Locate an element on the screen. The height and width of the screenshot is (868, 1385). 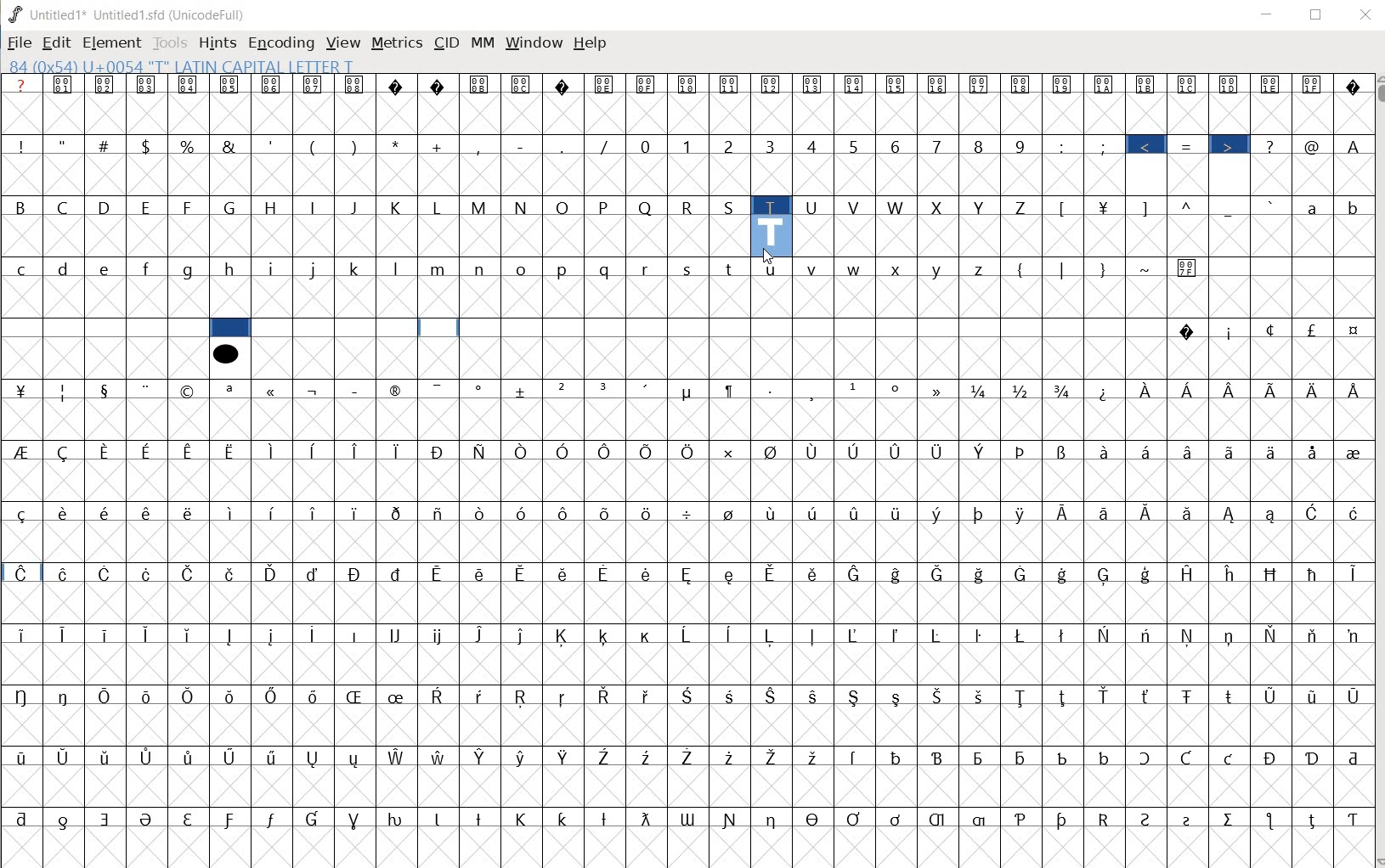
X is located at coordinates (940, 207).